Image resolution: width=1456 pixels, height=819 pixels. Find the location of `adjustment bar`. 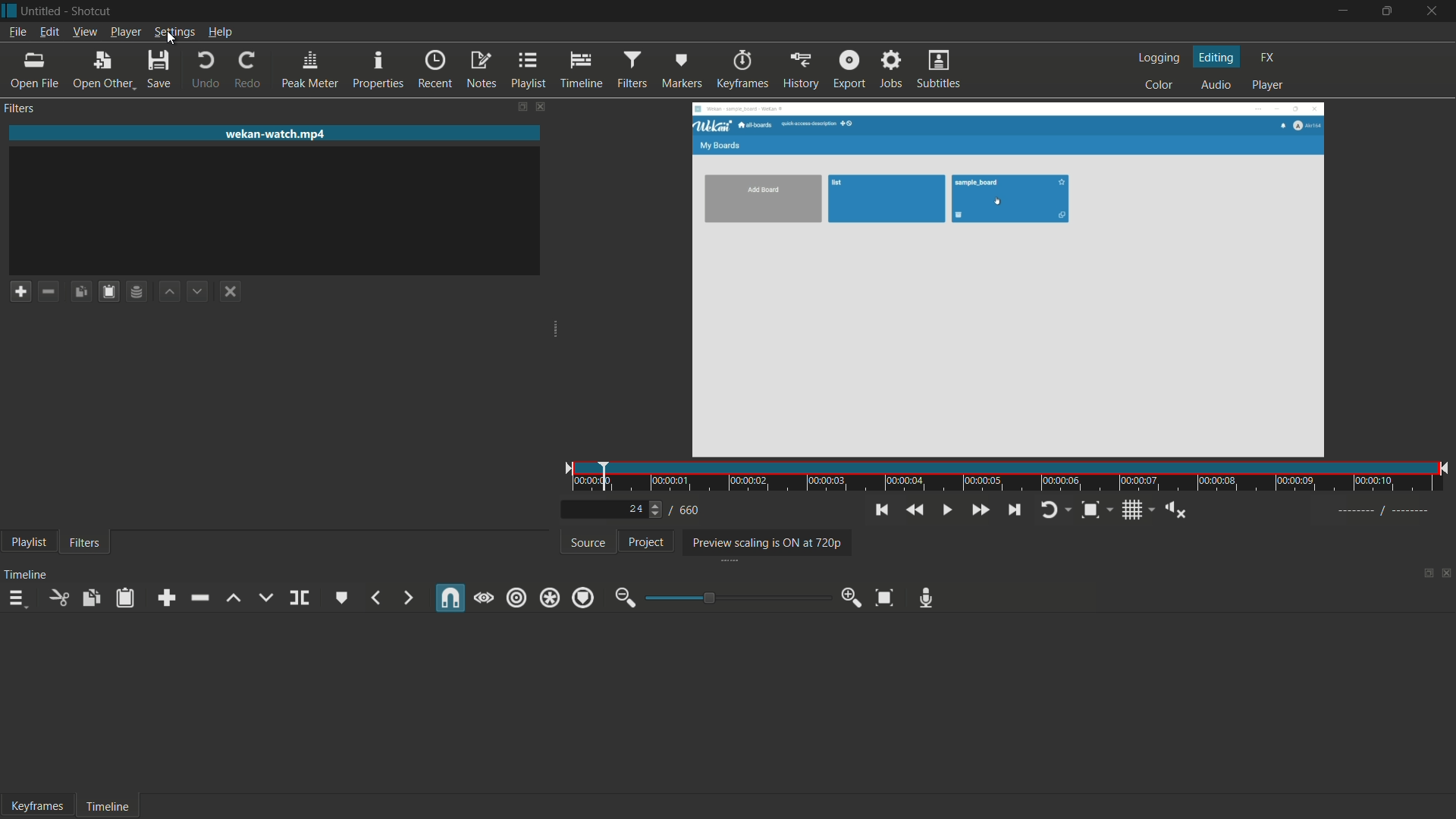

adjustment bar is located at coordinates (736, 598).